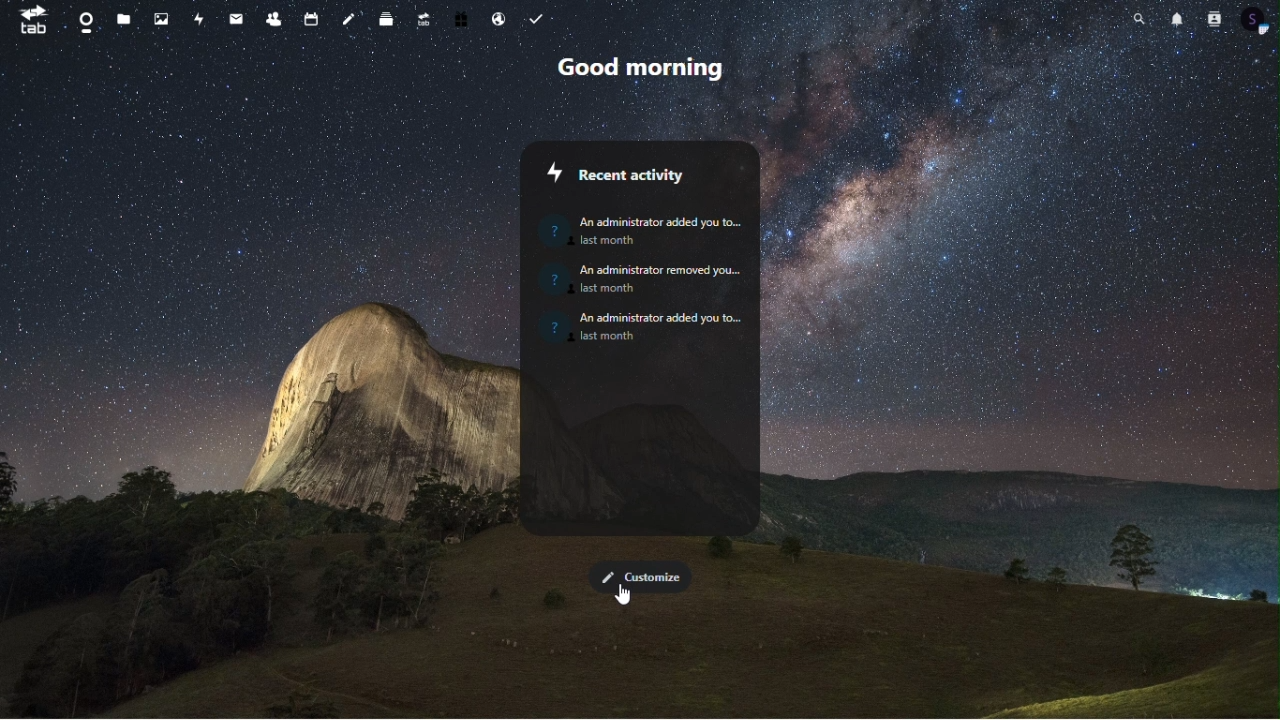 This screenshot has width=1280, height=720. Describe the element at coordinates (1256, 21) in the screenshot. I see `profile` at that location.